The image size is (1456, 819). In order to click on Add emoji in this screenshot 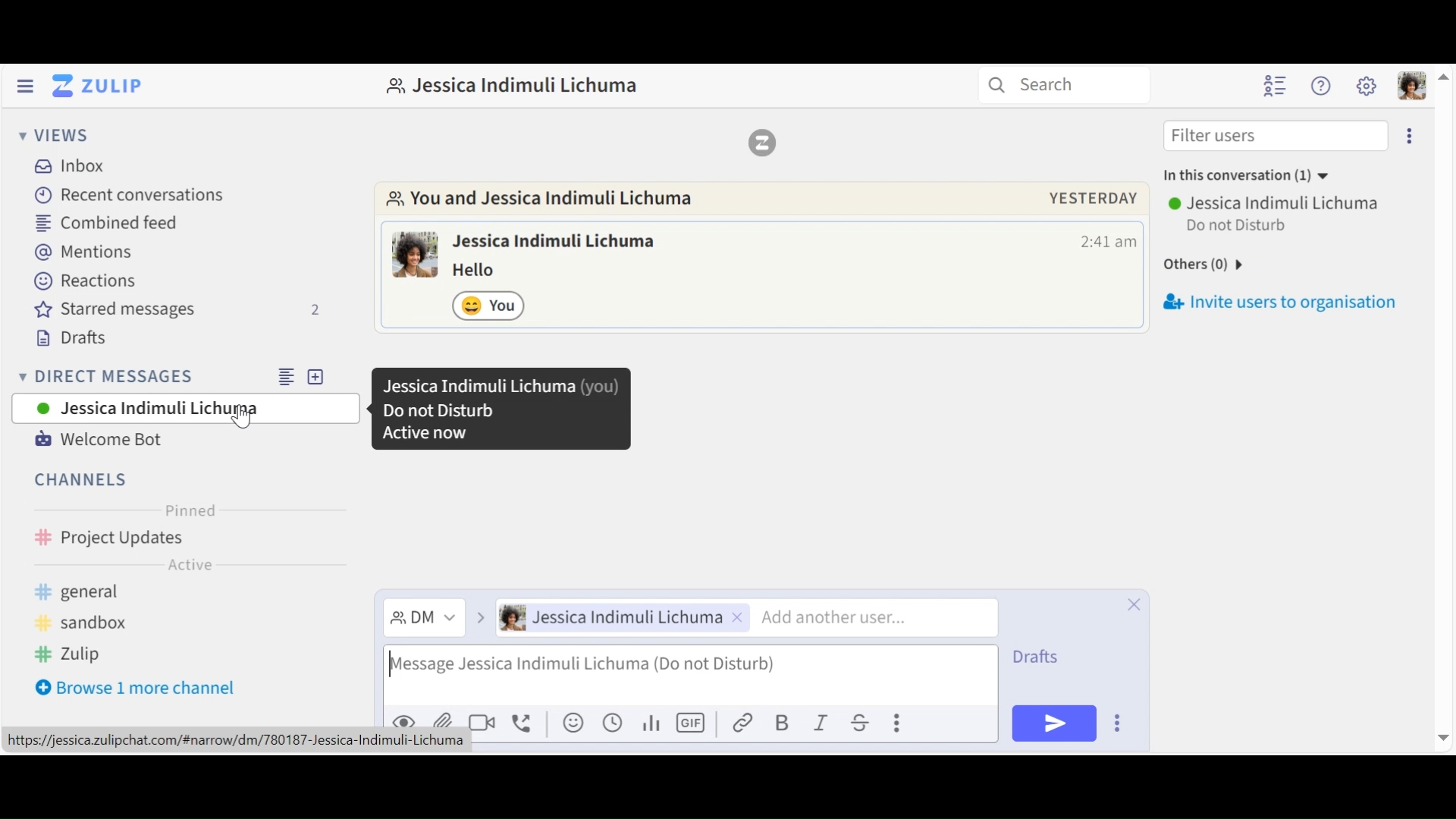, I will do `click(572, 724)`.